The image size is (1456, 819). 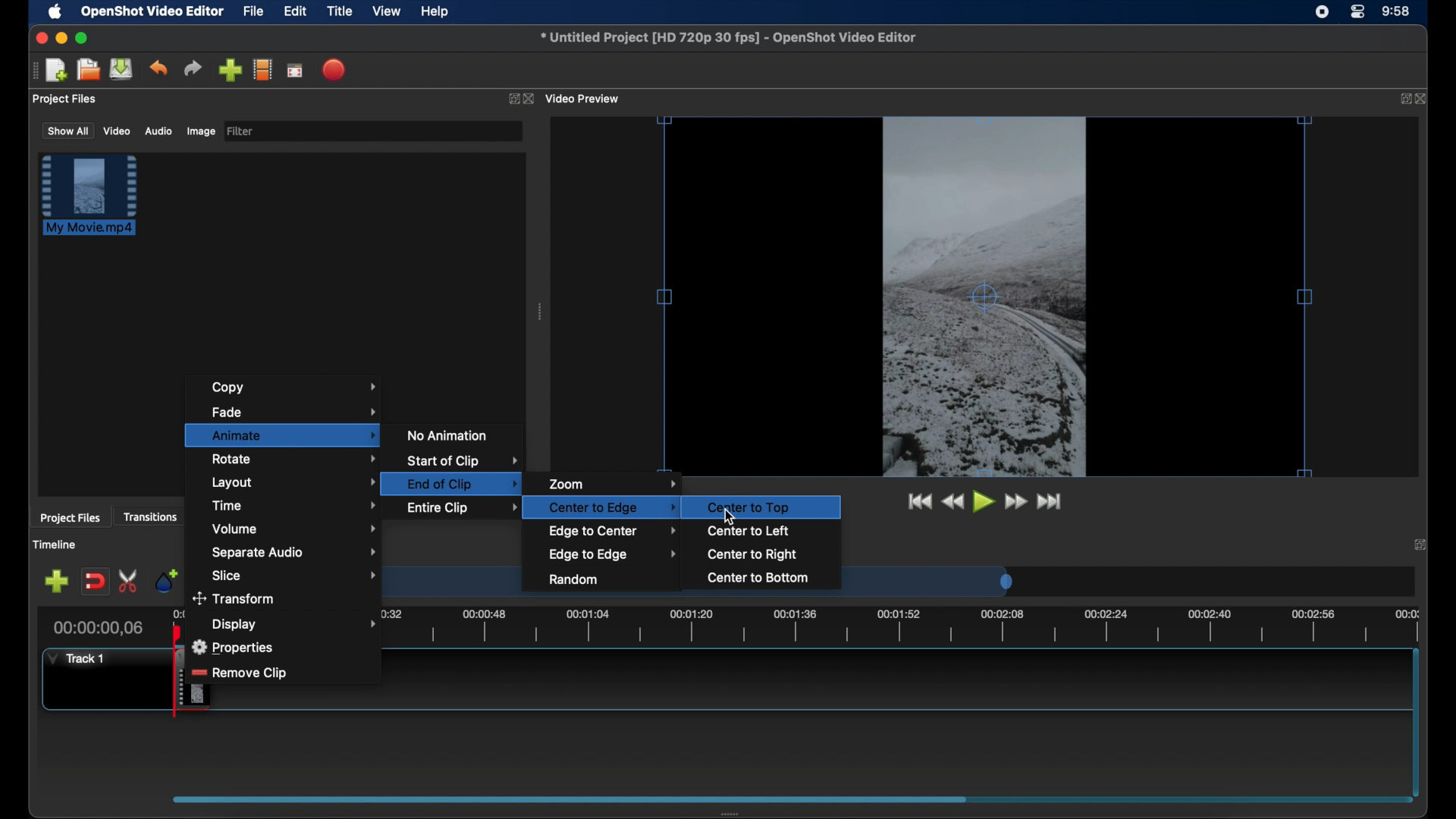 What do you see at coordinates (939, 581) in the screenshot?
I see `timeline scale` at bounding box center [939, 581].